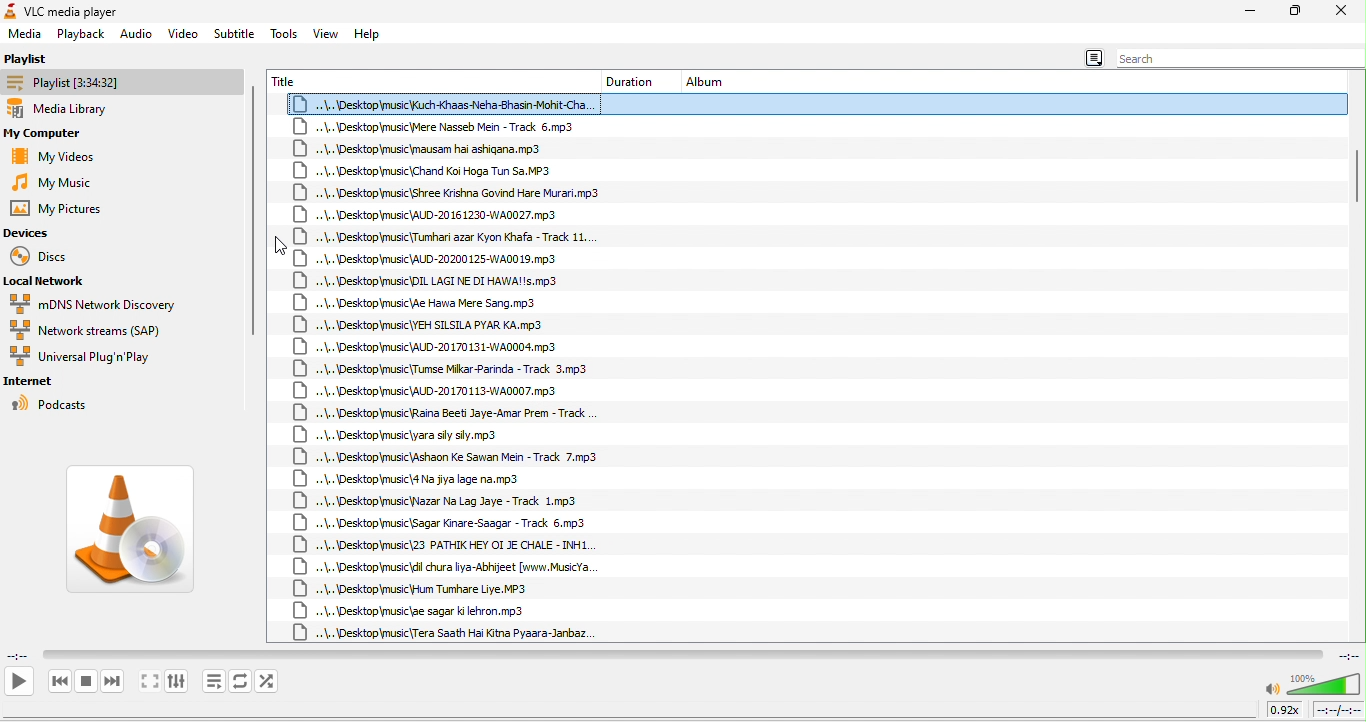 This screenshot has width=1366, height=722. Describe the element at coordinates (1250, 11) in the screenshot. I see `minimize` at that location.